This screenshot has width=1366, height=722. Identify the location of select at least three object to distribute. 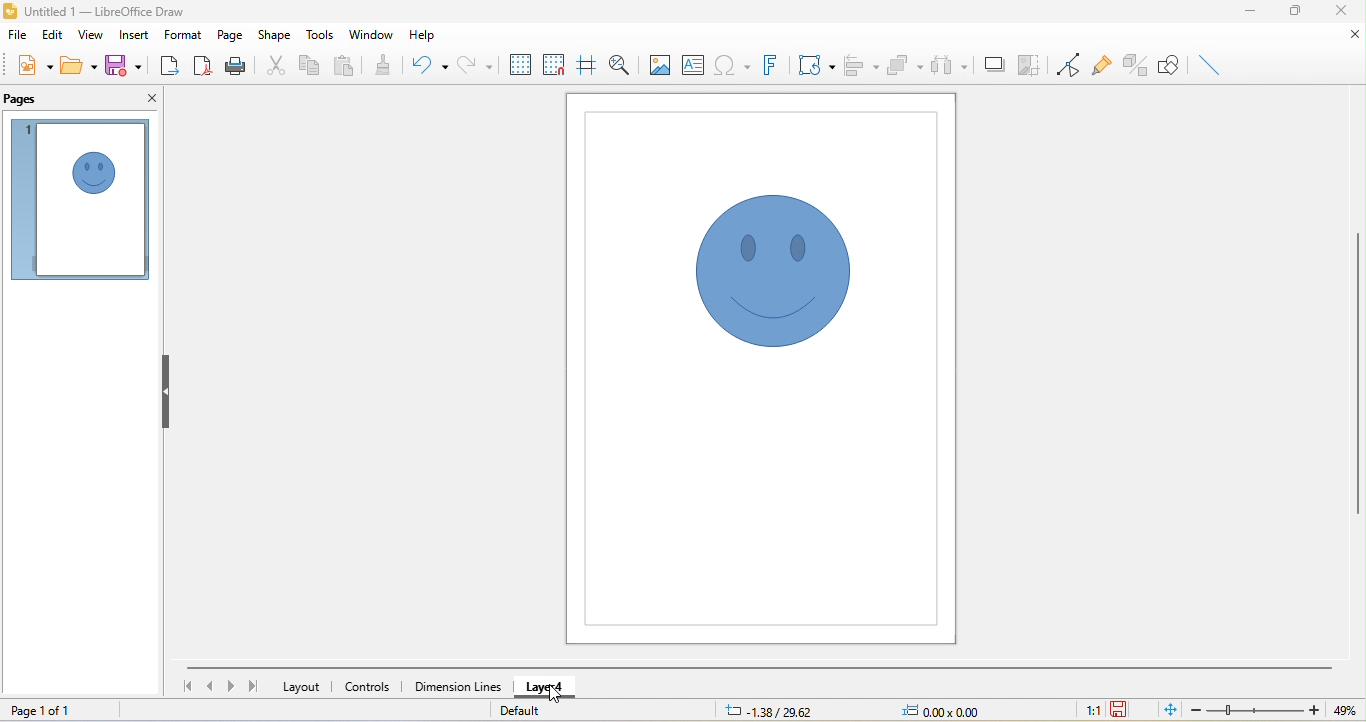
(949, 67).